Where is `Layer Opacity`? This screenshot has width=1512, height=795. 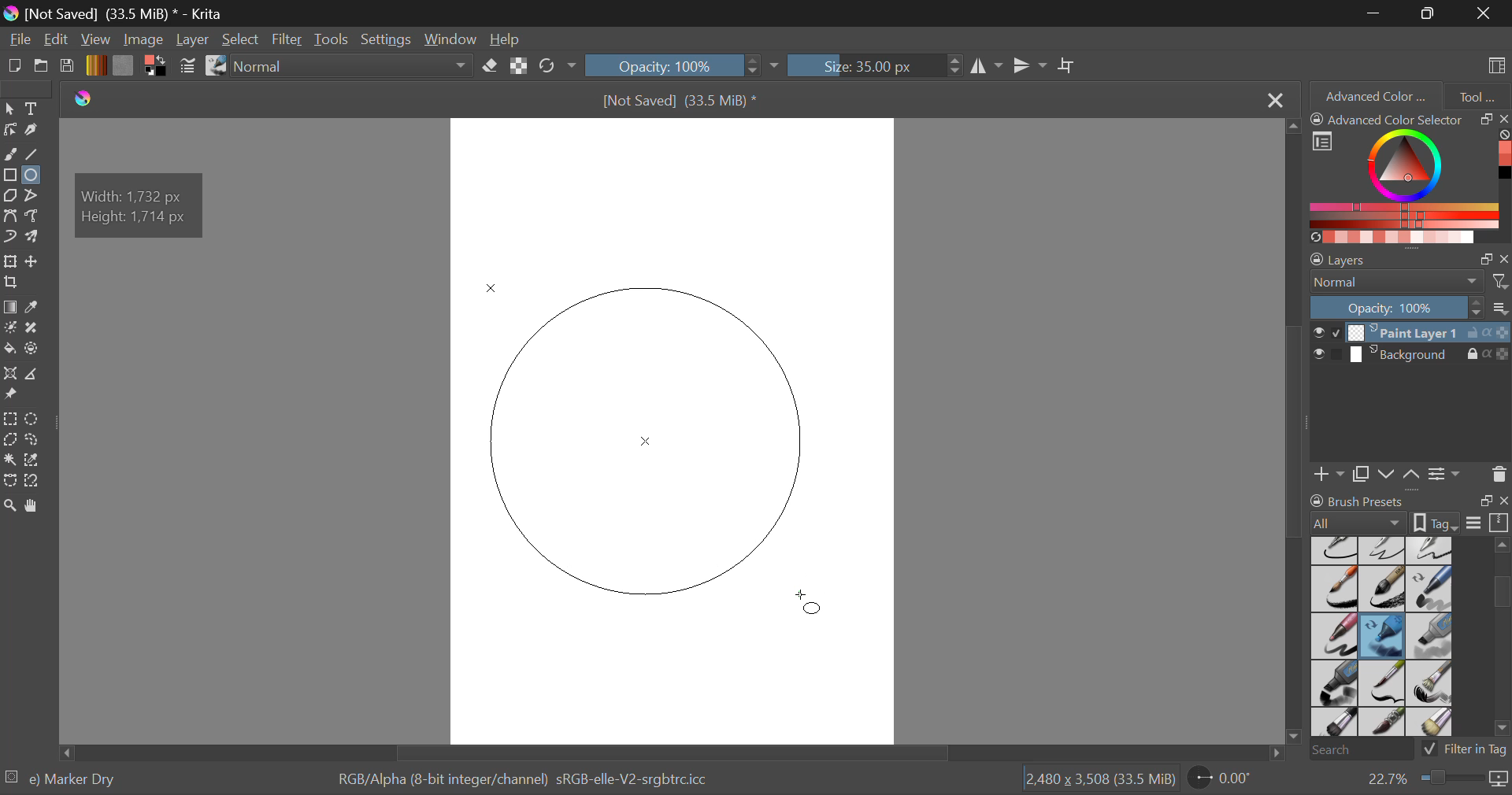 Layer Opacity is located at coordinates (1410, 307).